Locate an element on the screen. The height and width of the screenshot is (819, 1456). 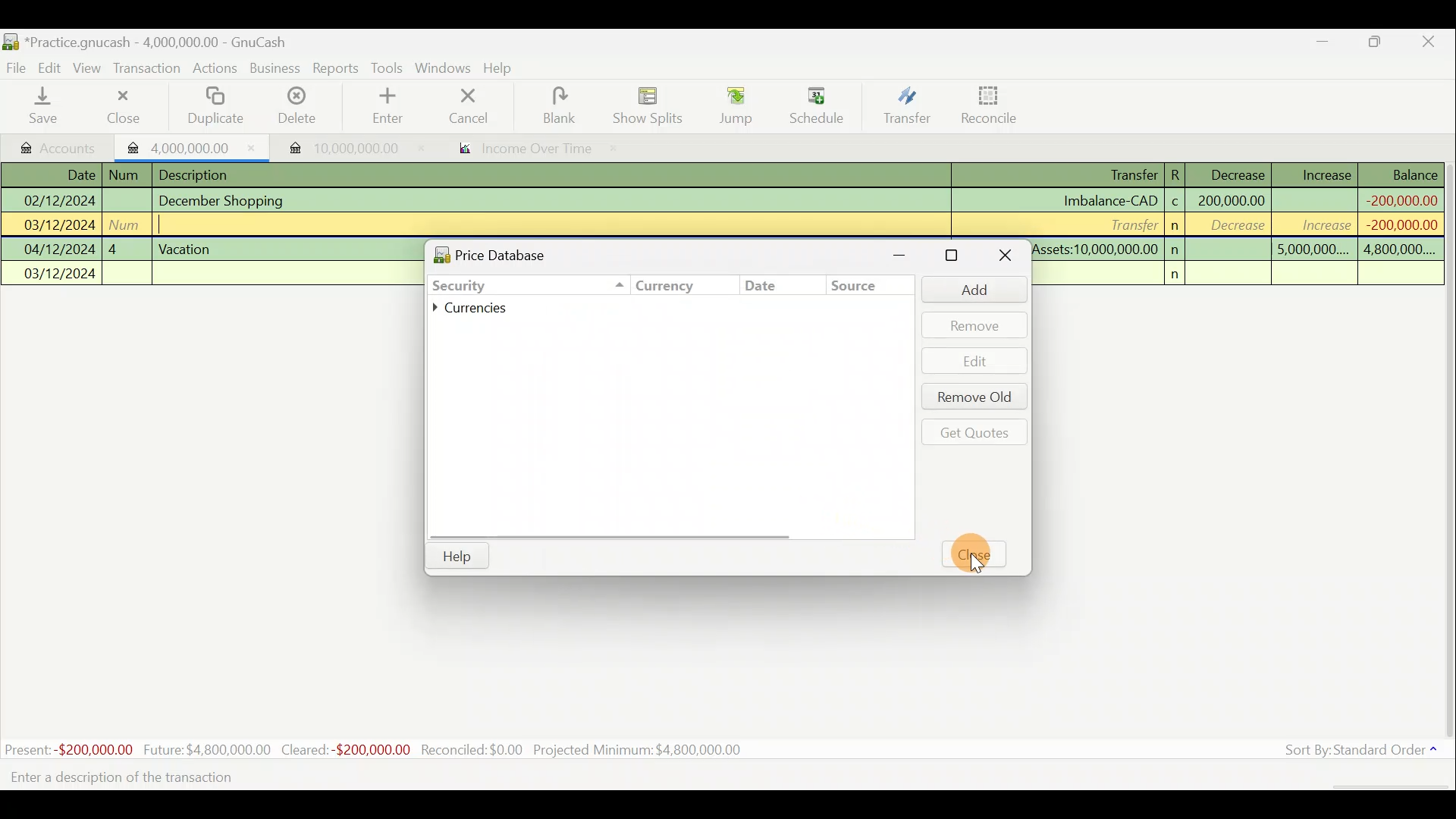
Close is located at coordinates (1433, 42).